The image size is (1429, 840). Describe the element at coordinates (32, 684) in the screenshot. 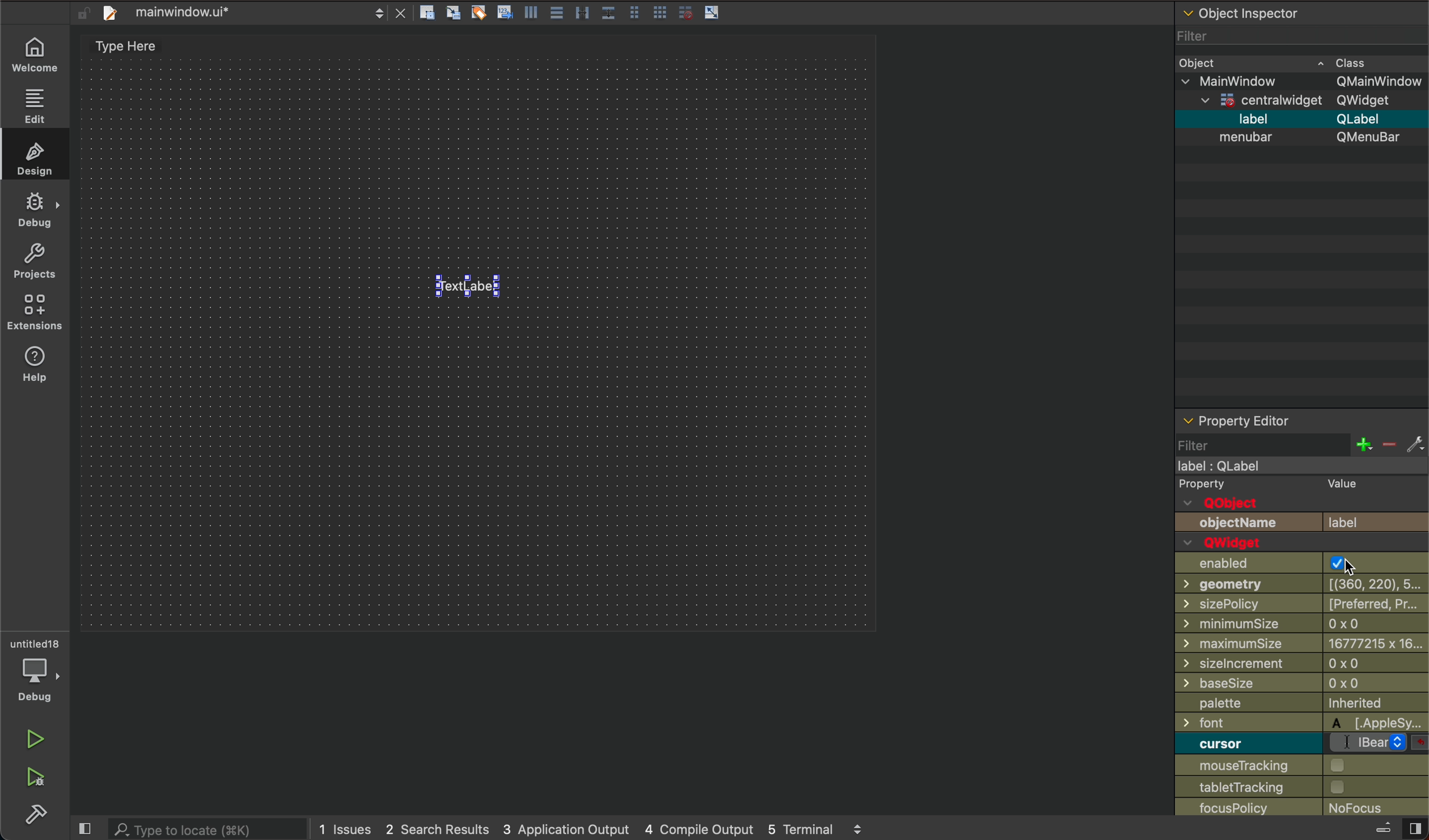

I see `debug` at that location.